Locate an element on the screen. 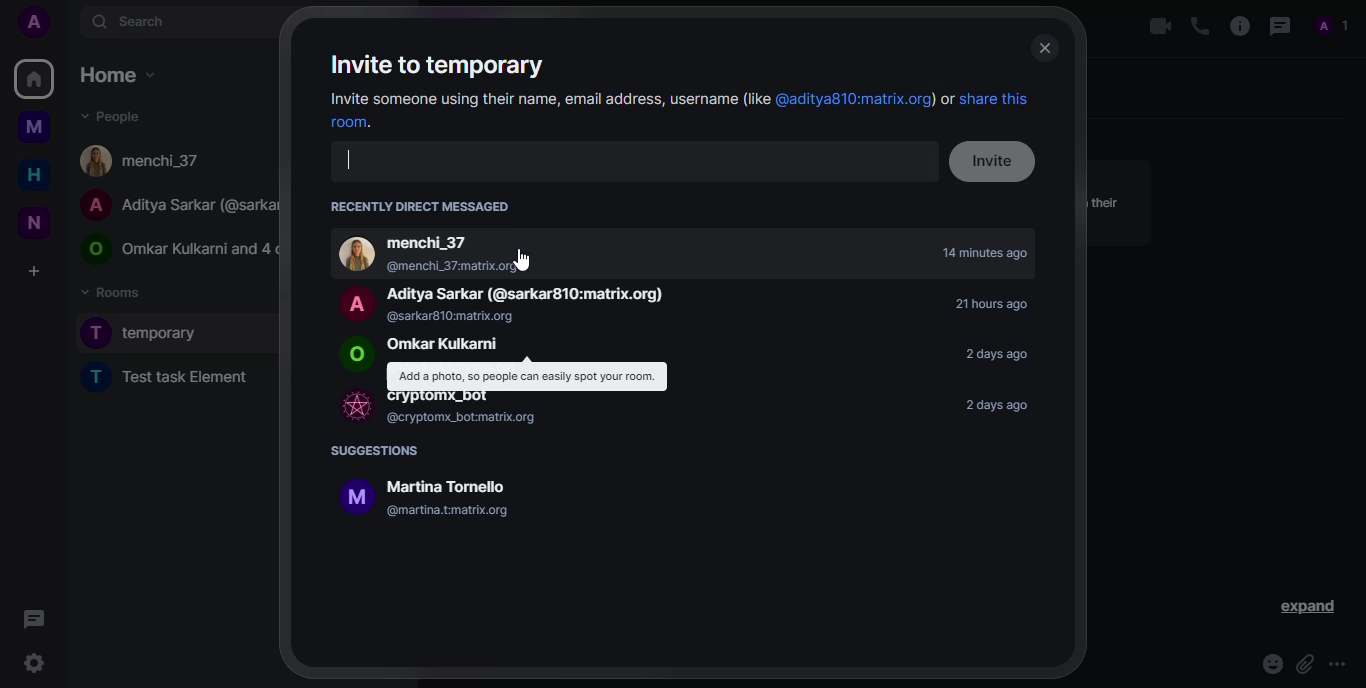 This screenshot has height=688, width=1366. Cryplomx_bot is located at coordinates (442, 398).